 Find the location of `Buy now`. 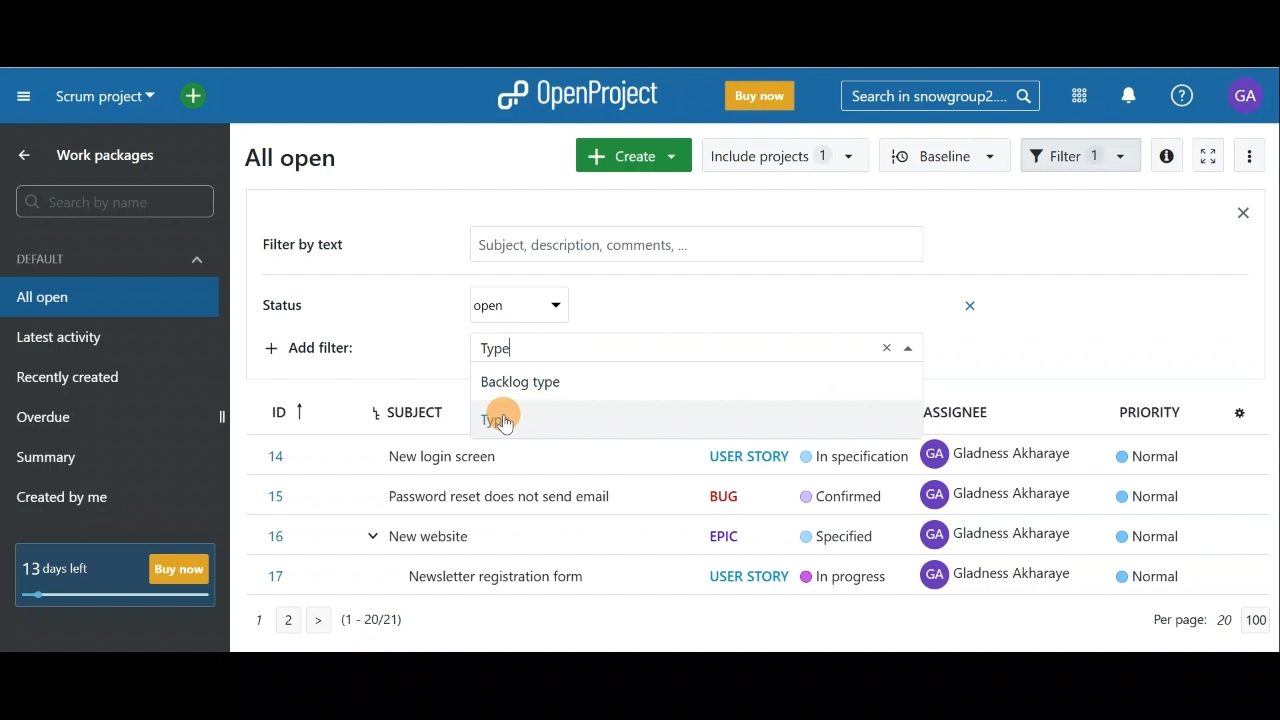

Buy now is located at coordinates (123, 576).